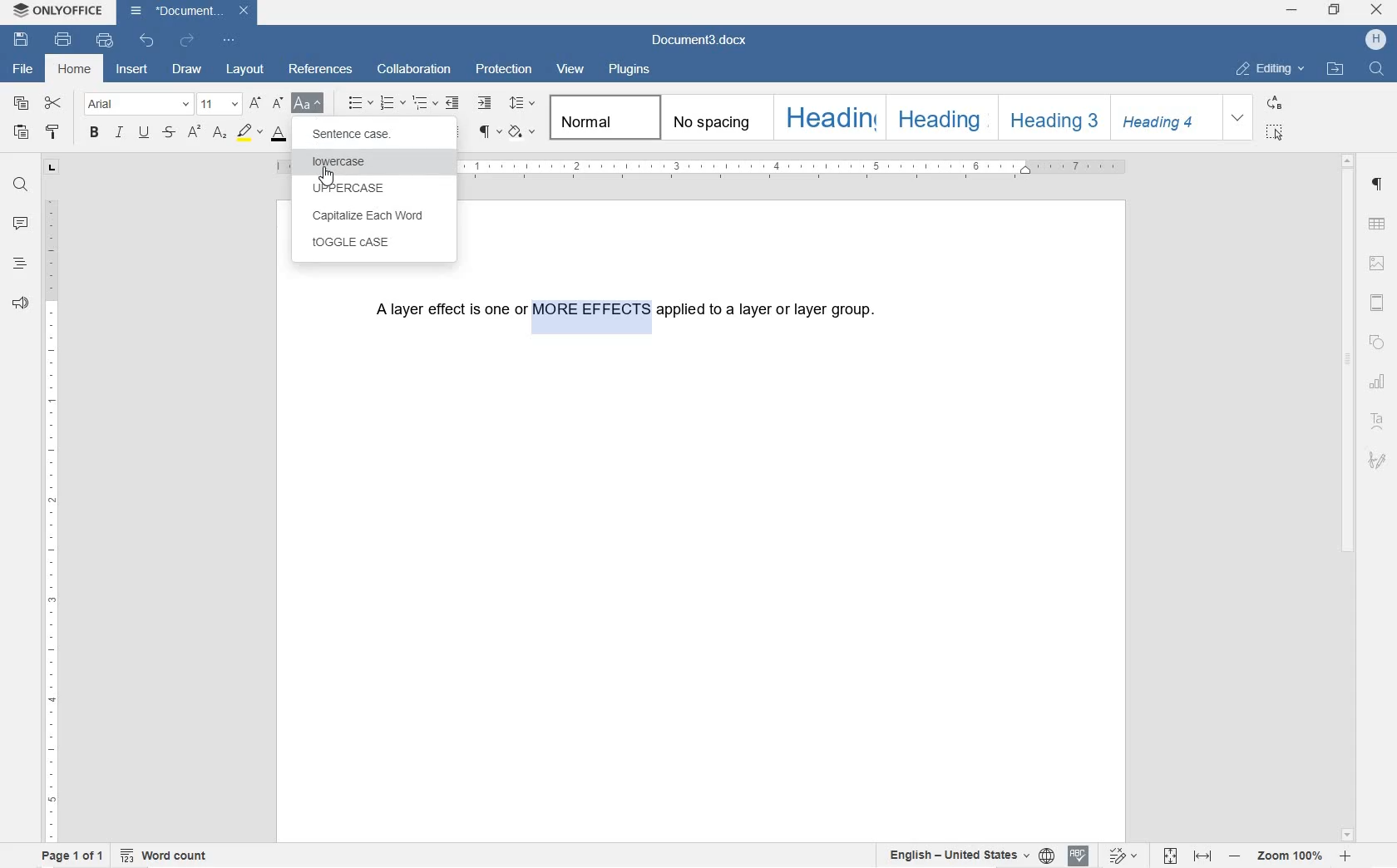 This screenshot has width=1397, height=868. I want to click on INSERT, so click(133, 72).